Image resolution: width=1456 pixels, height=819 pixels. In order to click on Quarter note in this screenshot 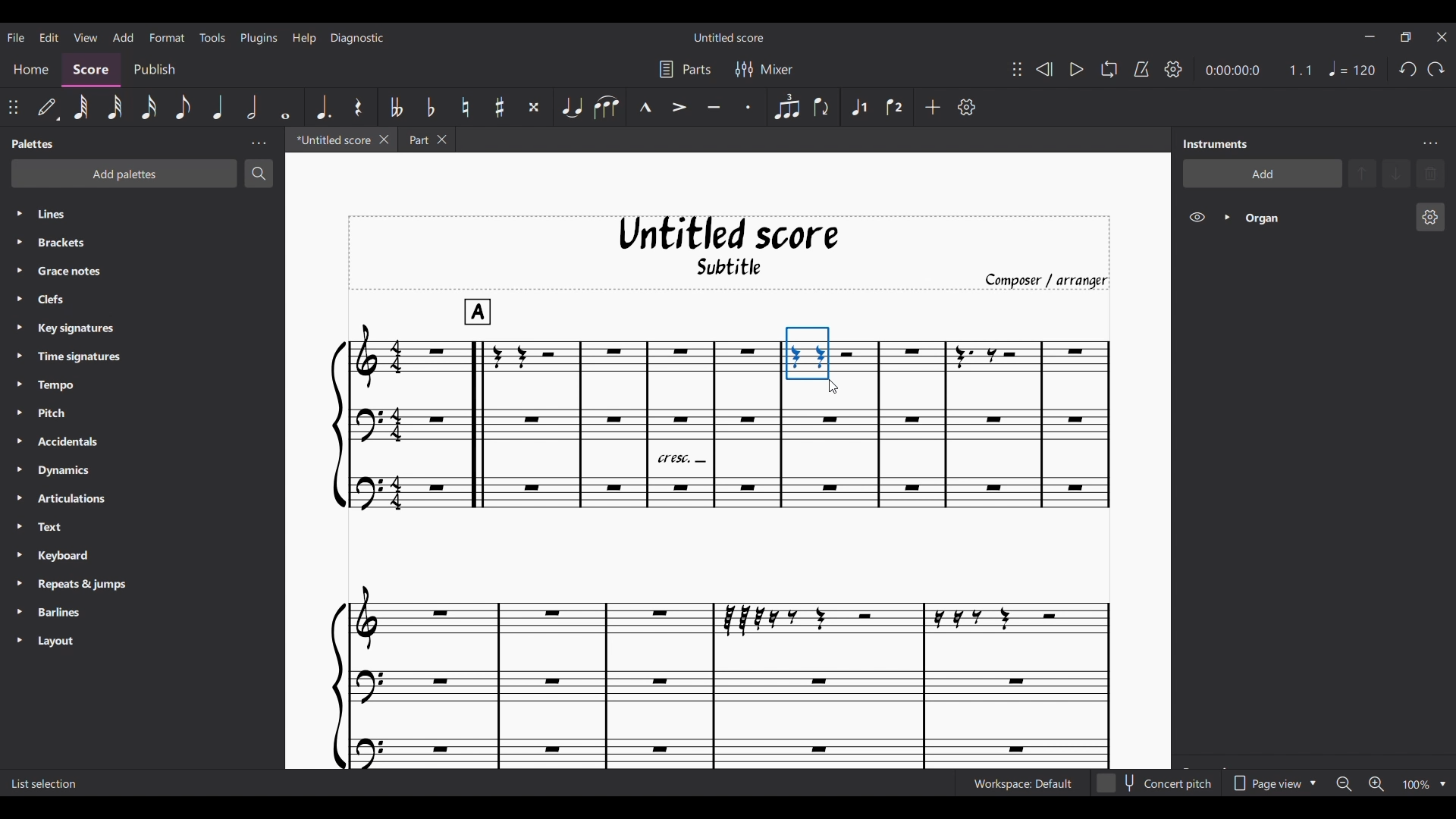, I will do `click(217, 108)`.